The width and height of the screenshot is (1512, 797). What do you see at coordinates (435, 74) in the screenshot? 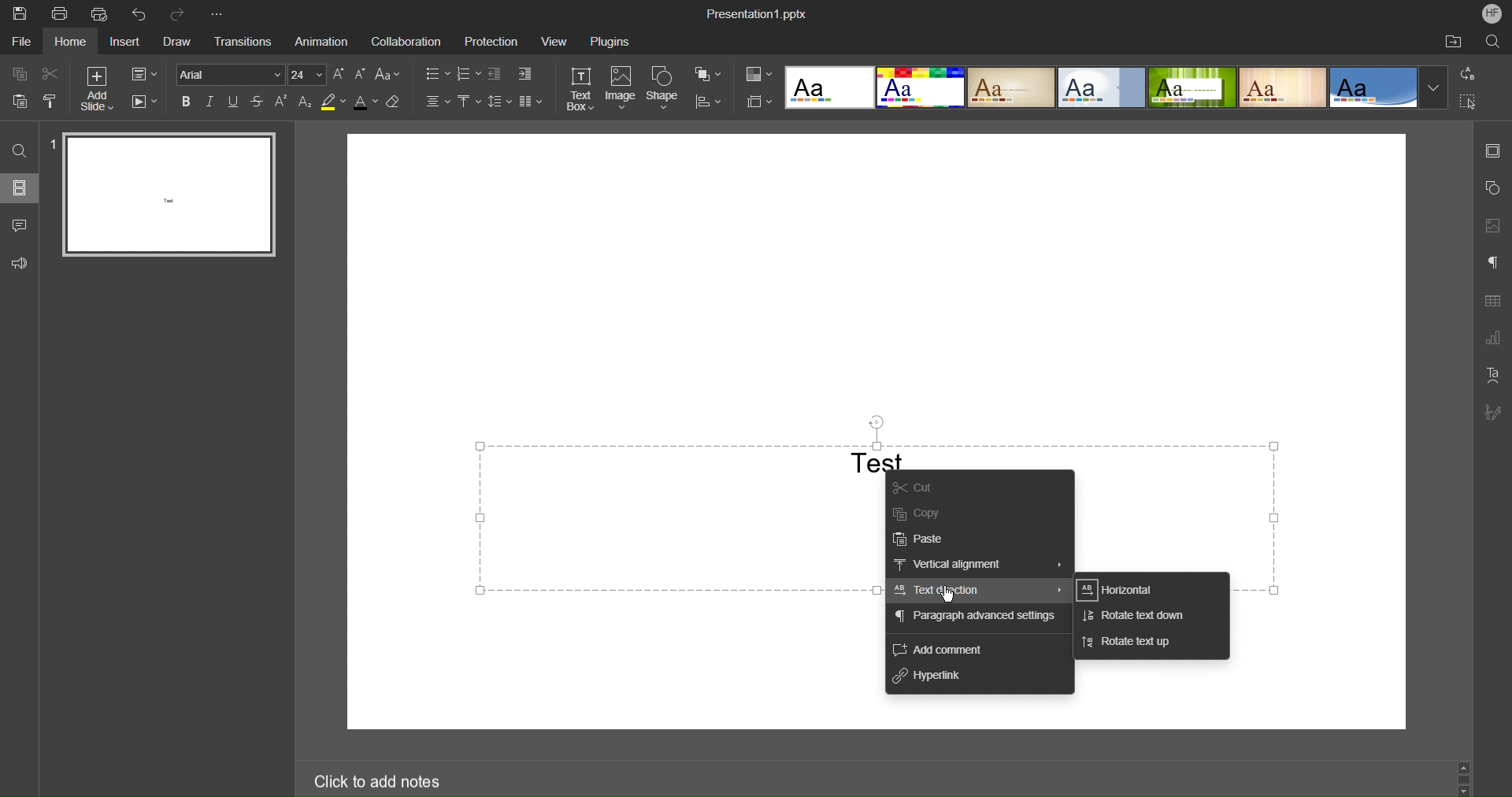
I see `Bullet List` at bounding box center [435, 74].